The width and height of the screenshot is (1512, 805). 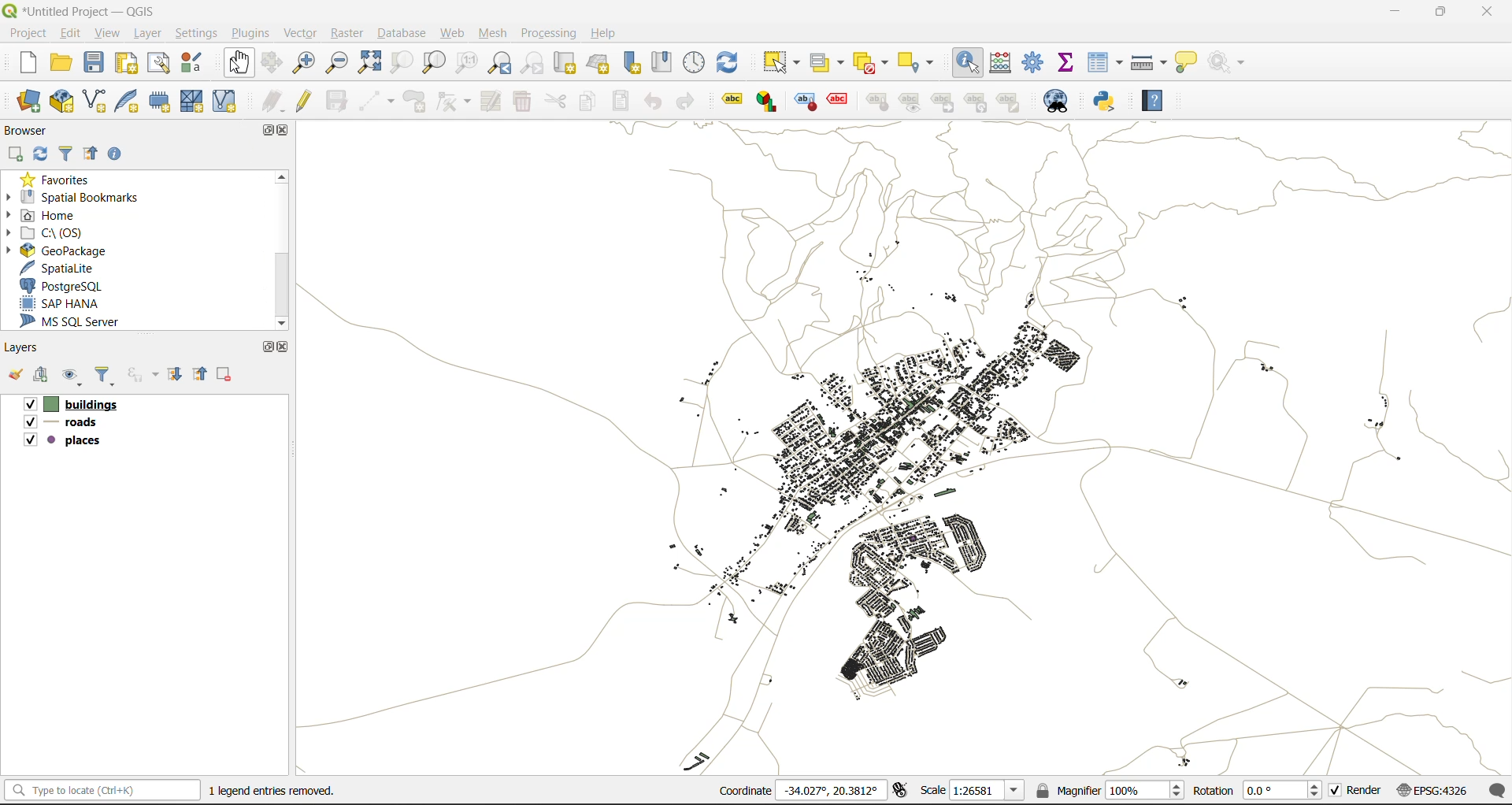 What do you see at coordinates (947, 103) in the screenshot?
I see `linked label` at bounding box center [947, 103].